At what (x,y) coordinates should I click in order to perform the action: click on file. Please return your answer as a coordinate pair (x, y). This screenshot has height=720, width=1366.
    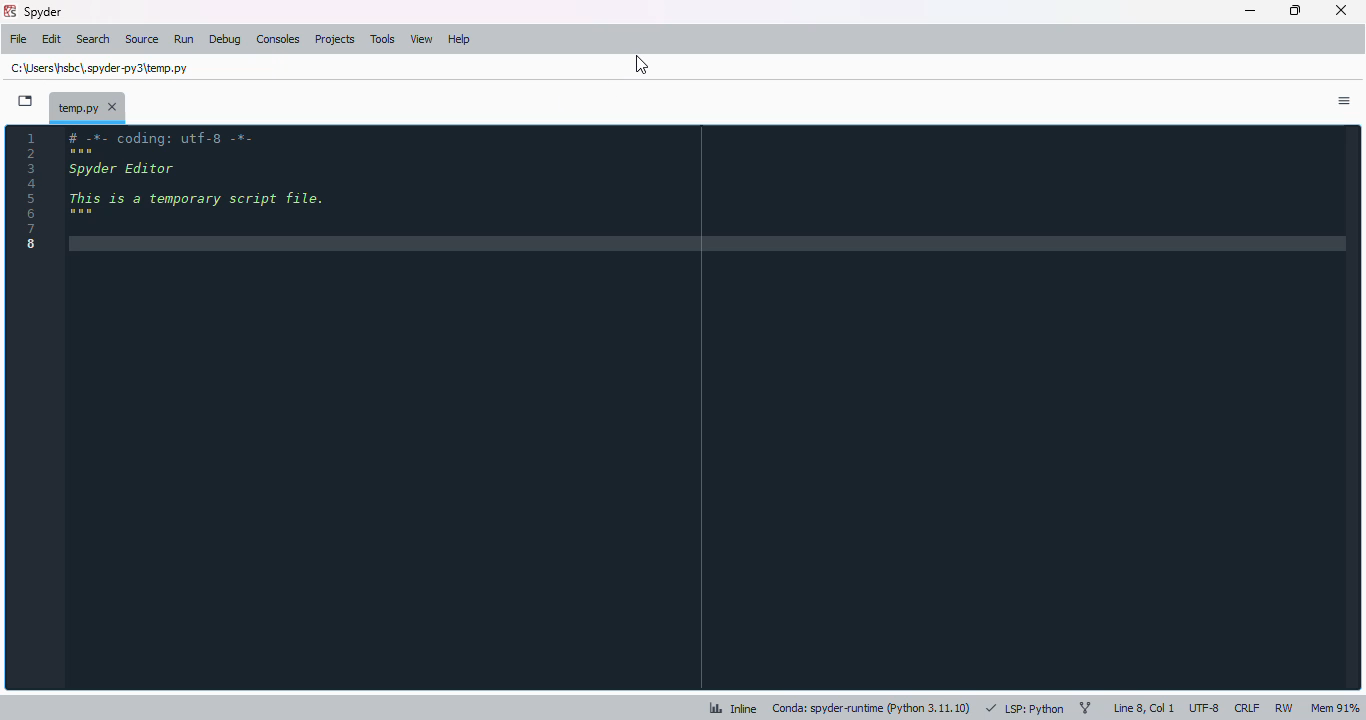
    Looking at the image, I should click on (18, 38).